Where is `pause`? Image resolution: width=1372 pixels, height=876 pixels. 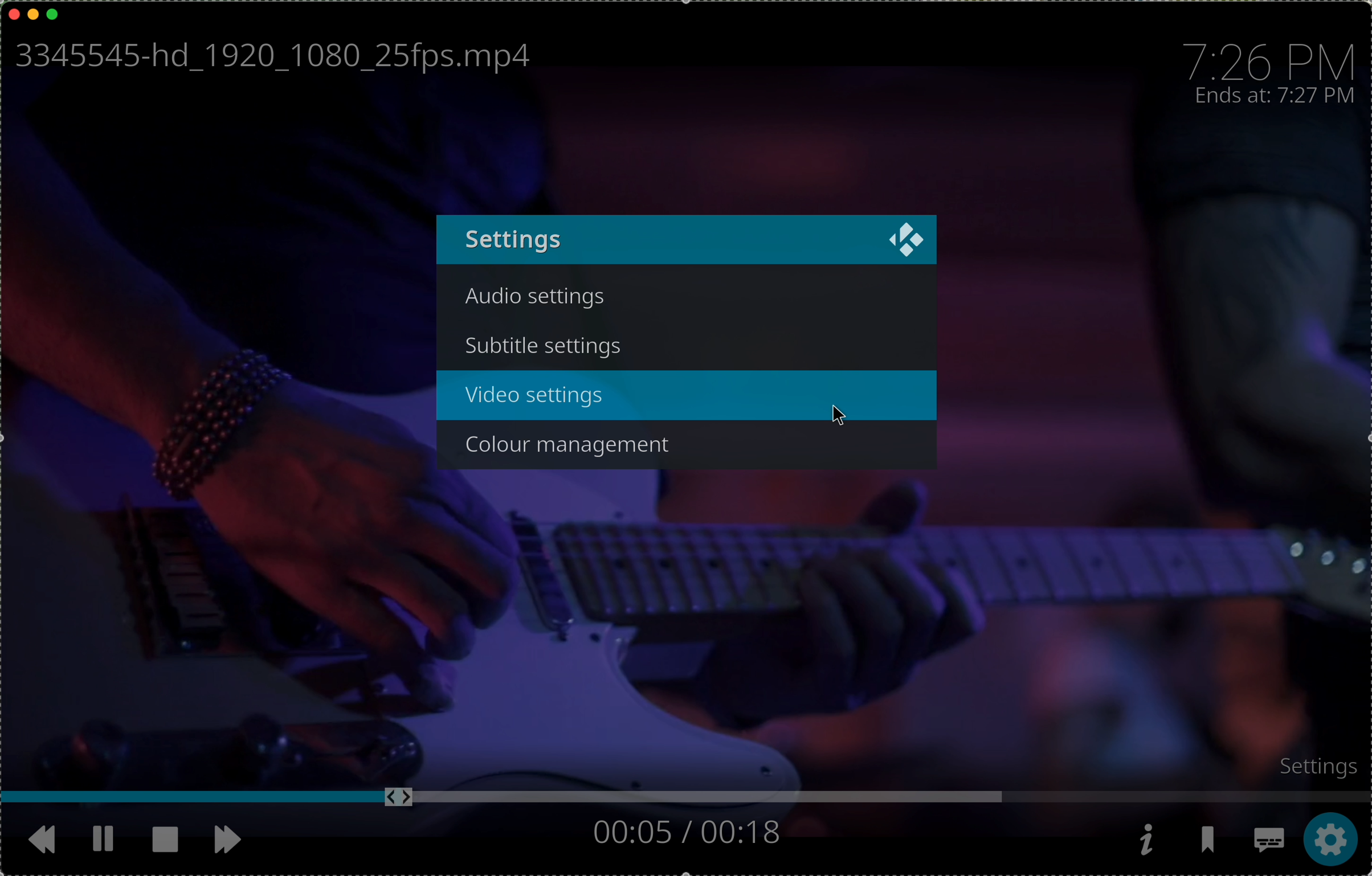
pause is located at coordinates (102, 837).